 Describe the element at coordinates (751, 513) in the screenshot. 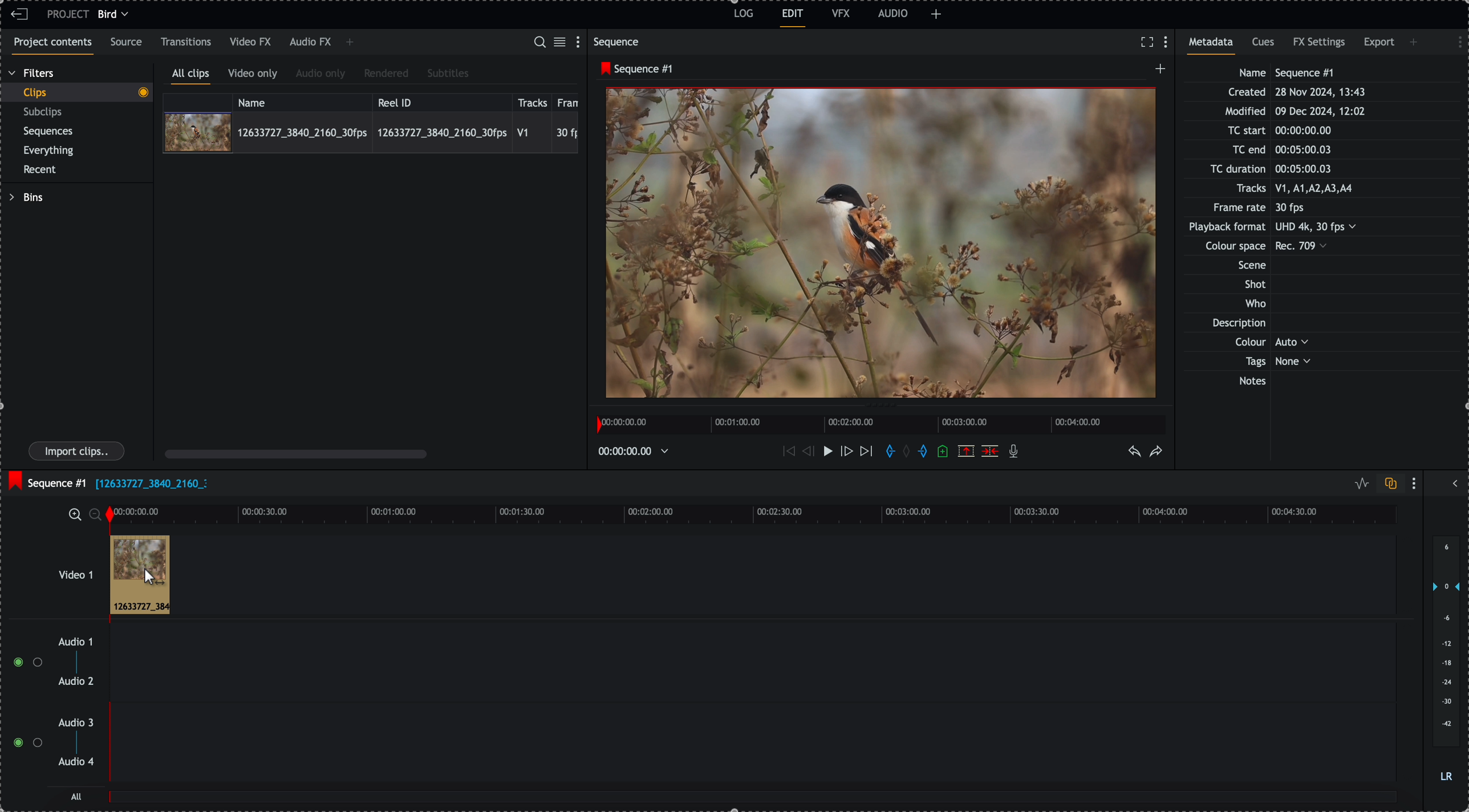

I see `timeline` at that location.